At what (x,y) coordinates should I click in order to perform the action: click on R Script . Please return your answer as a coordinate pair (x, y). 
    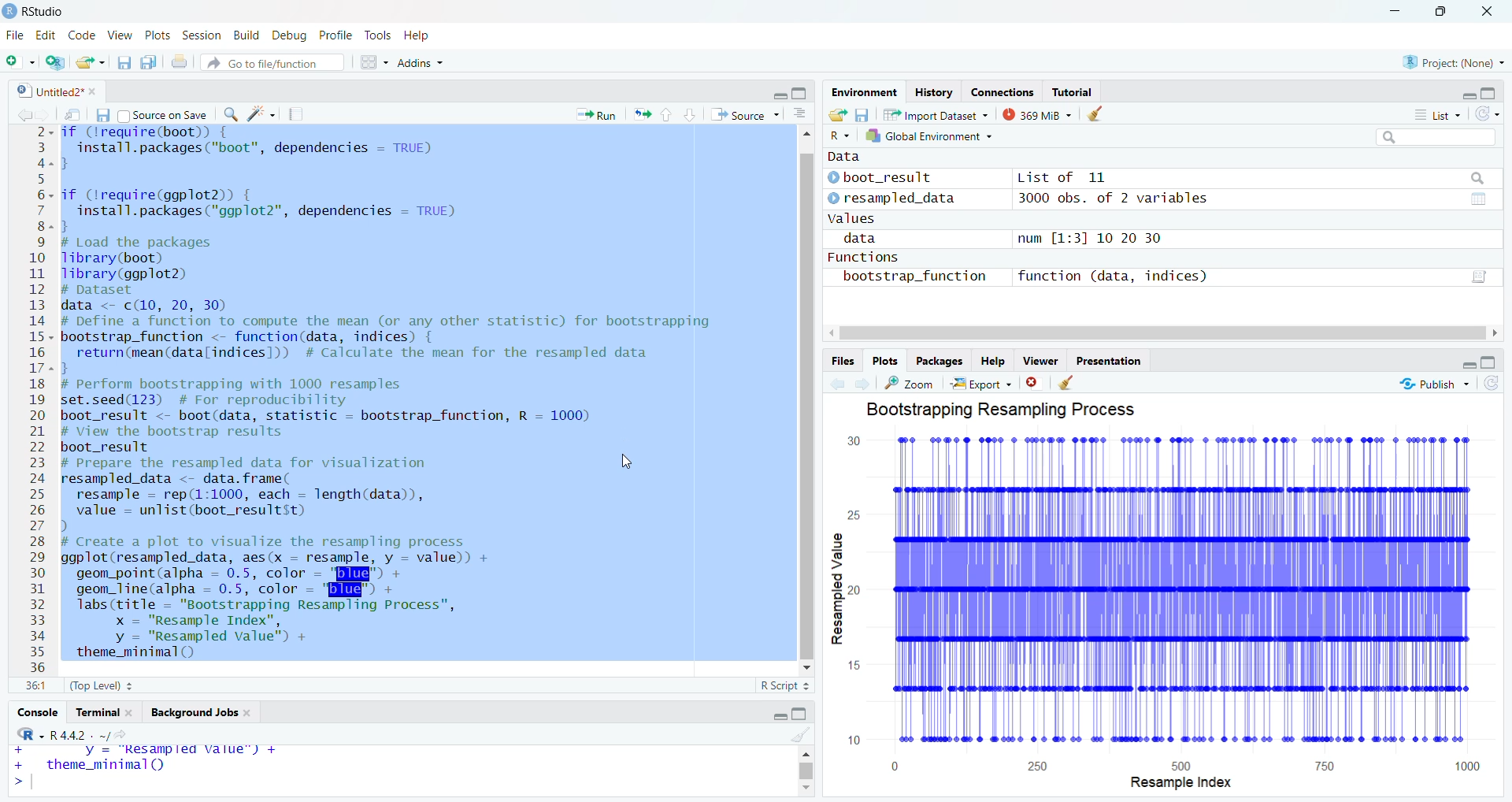
    Looking at the image, I should click on (781, 686).